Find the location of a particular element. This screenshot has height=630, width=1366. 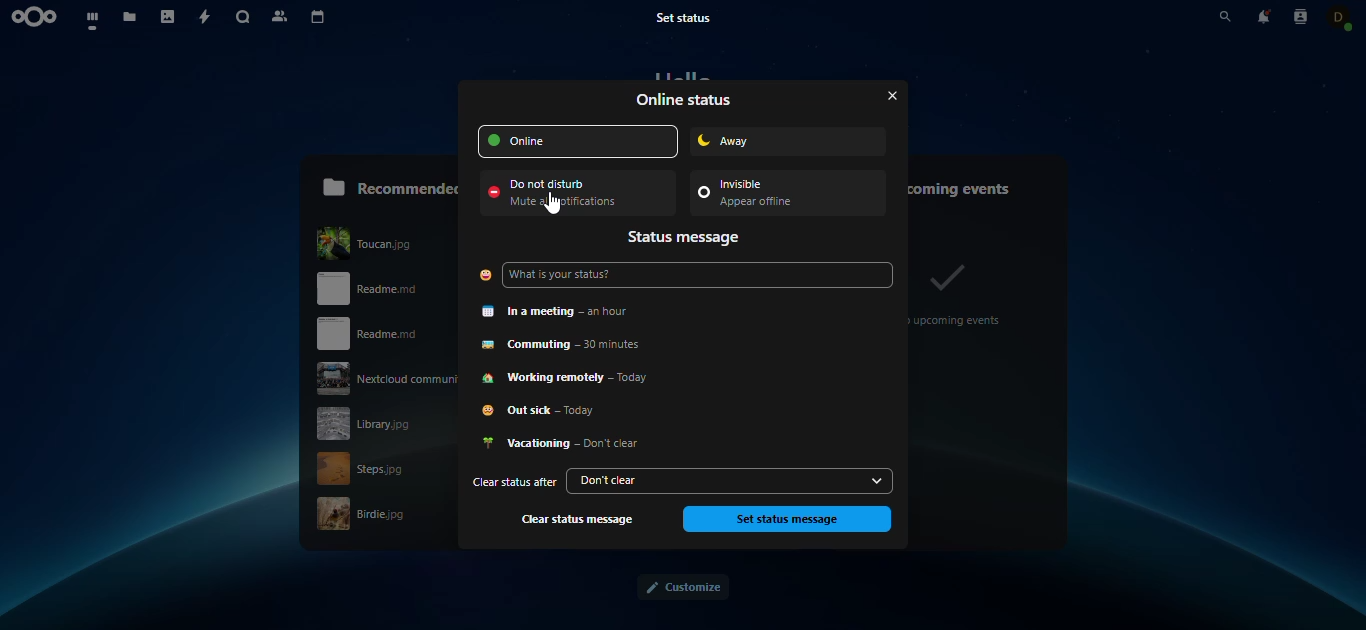

nextcloud is located at coordinates (38, 17).